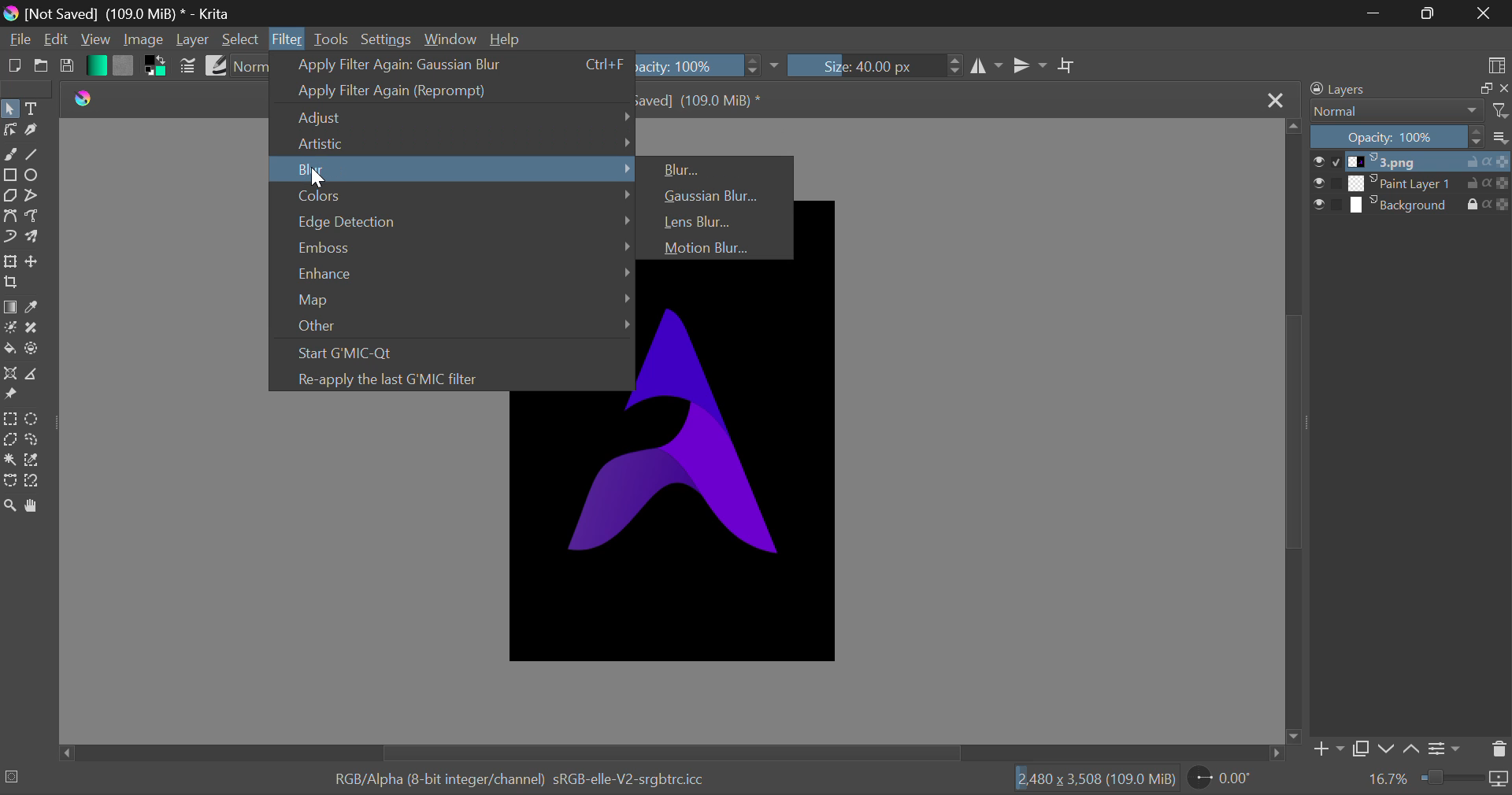  I want to click on Opacity 100%, so click(1412, 138).